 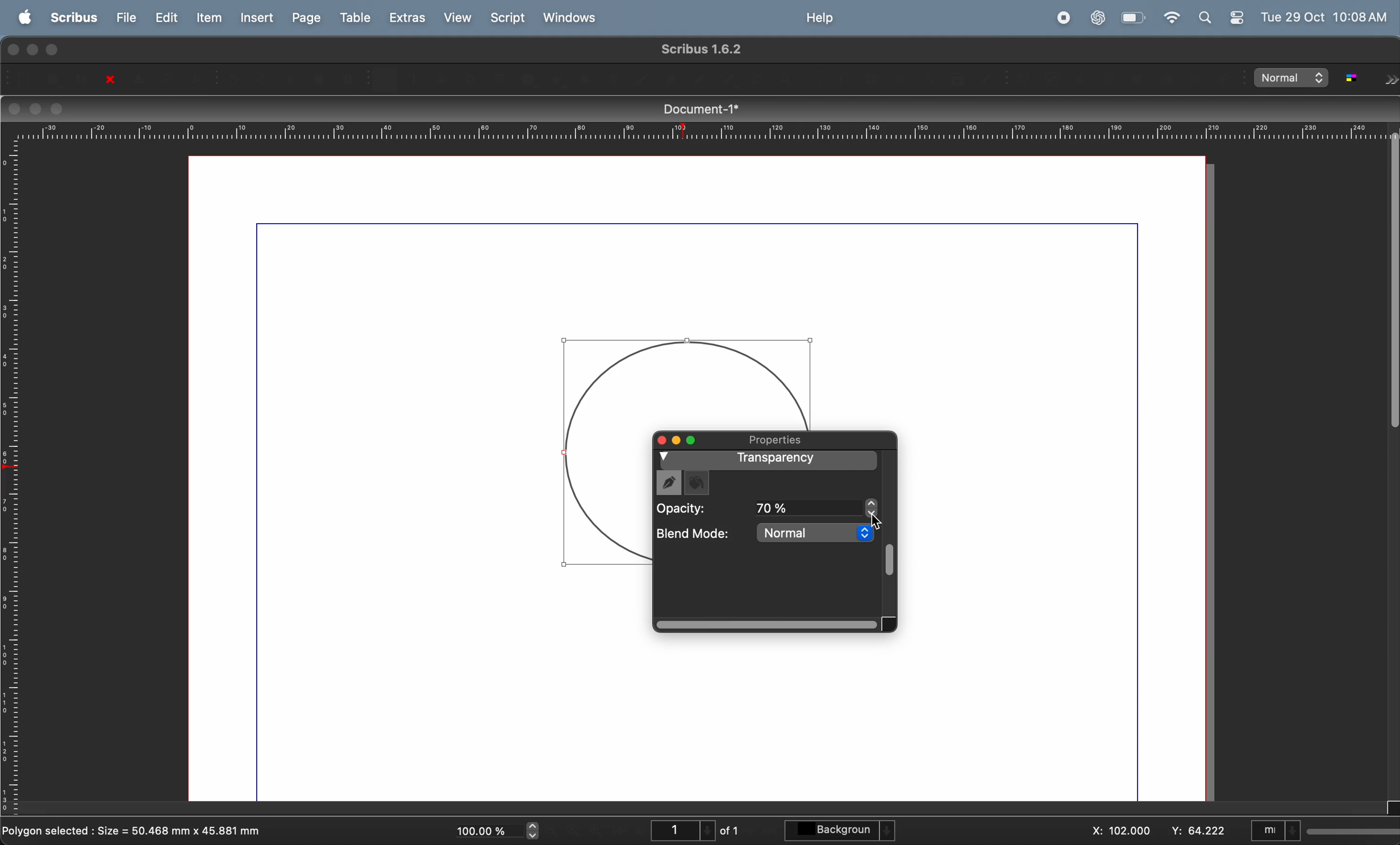 What do you see at coordinates (305, 18) in the screenshot?
I see `page` at bounding box center [305, 18].